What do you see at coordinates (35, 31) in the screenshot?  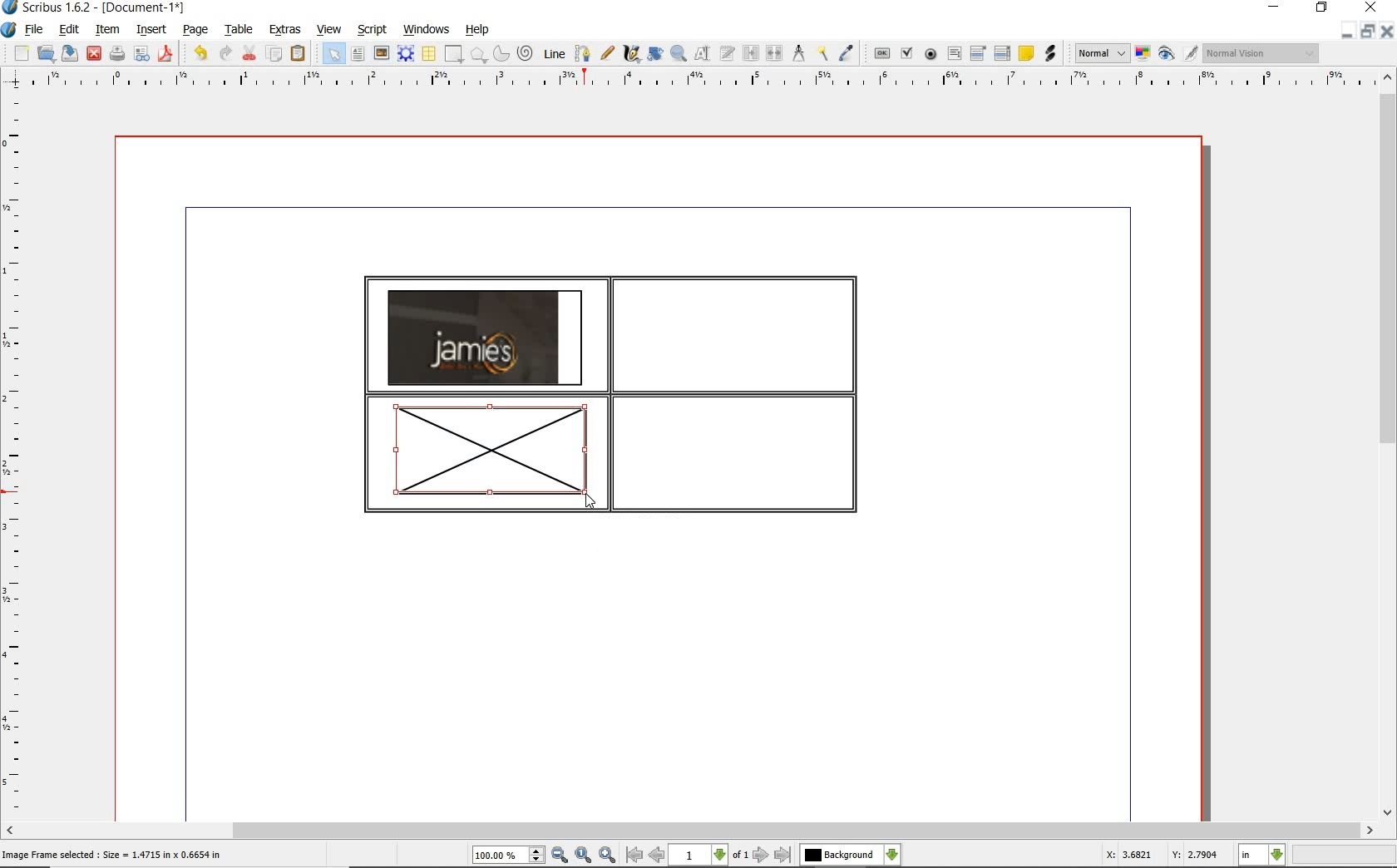 I see `file` at bounding box center [35, 31].